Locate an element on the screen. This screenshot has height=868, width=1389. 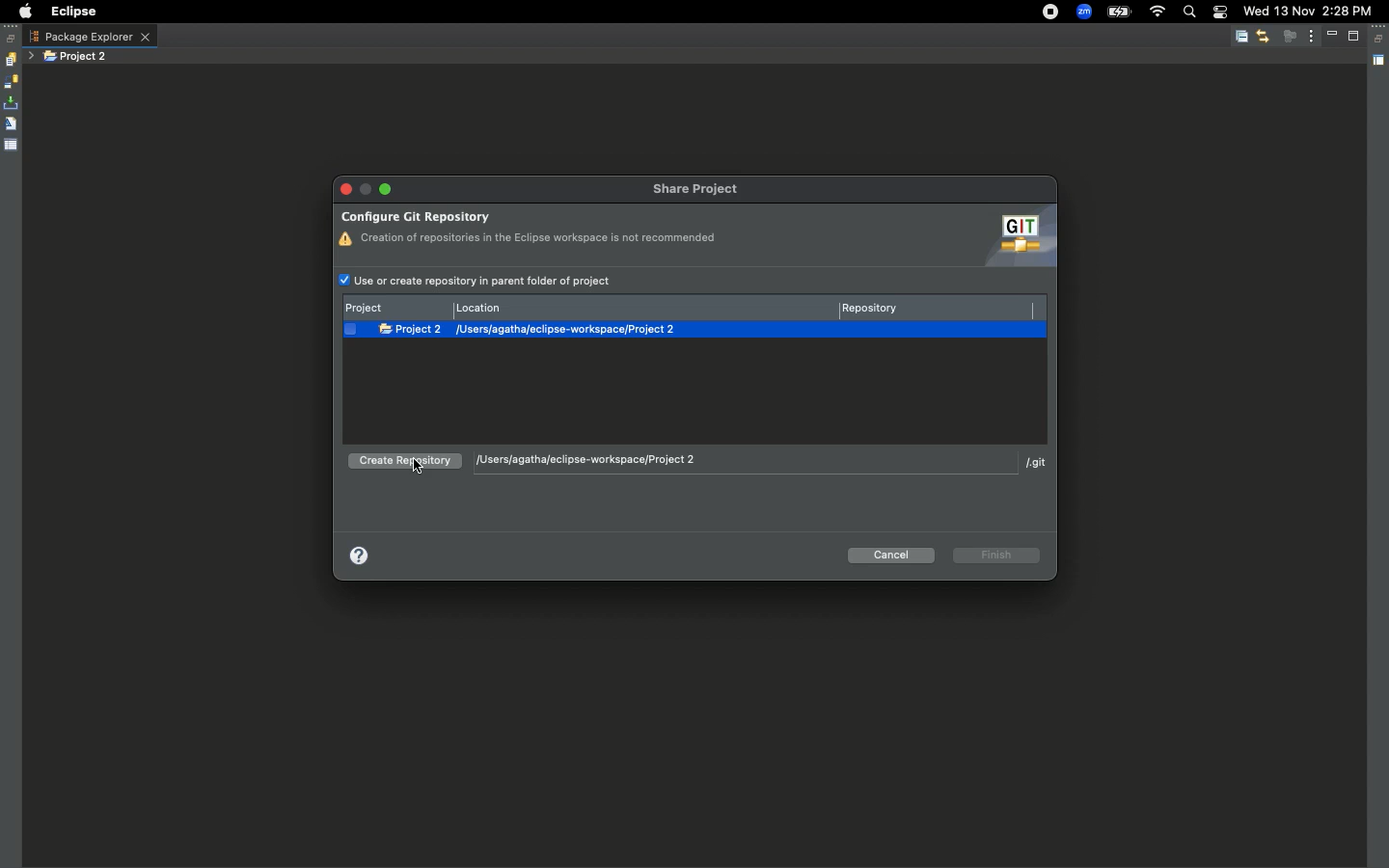
Search is located at coordinates (1188, 14).